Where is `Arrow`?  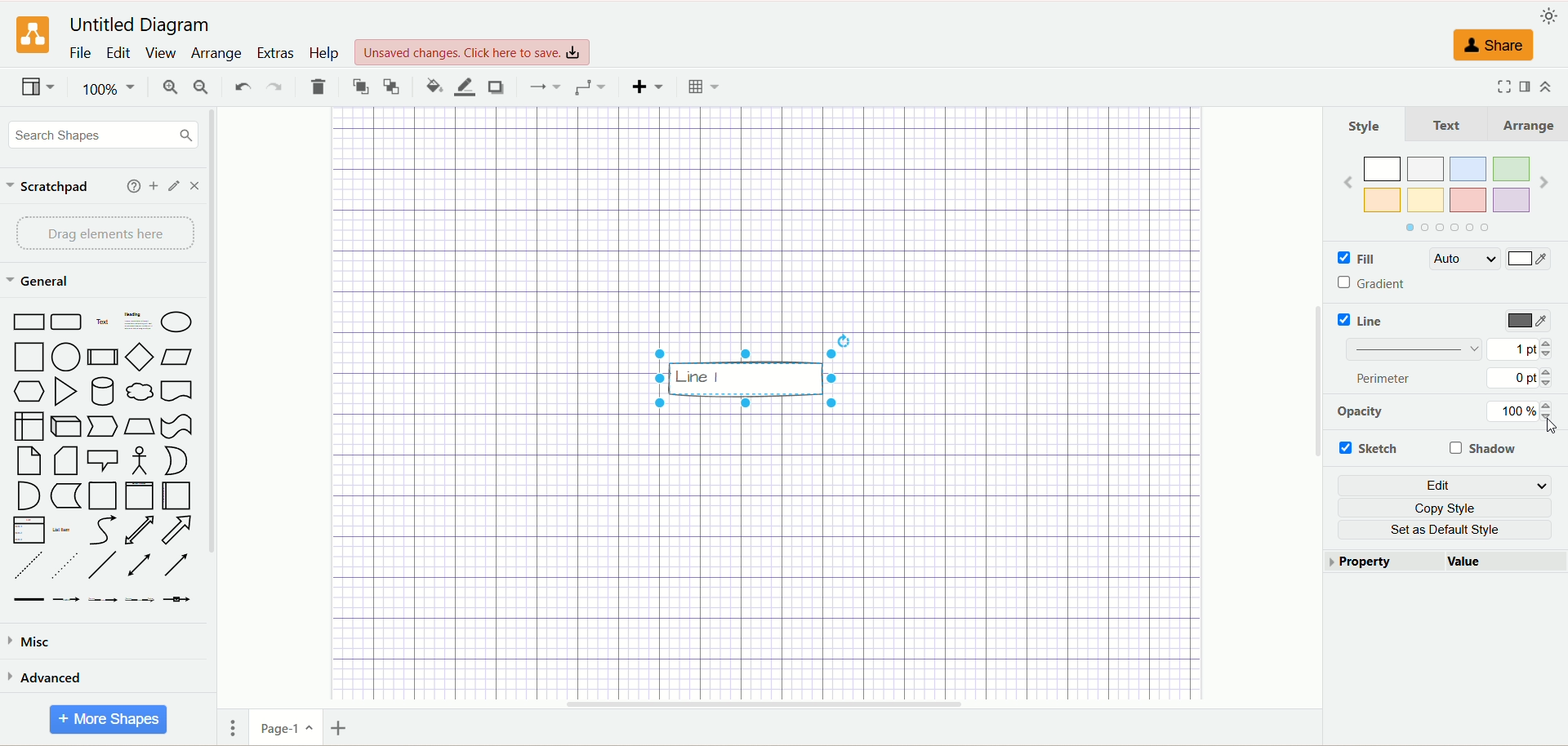
Arrow is located at coordinates (176, 531).